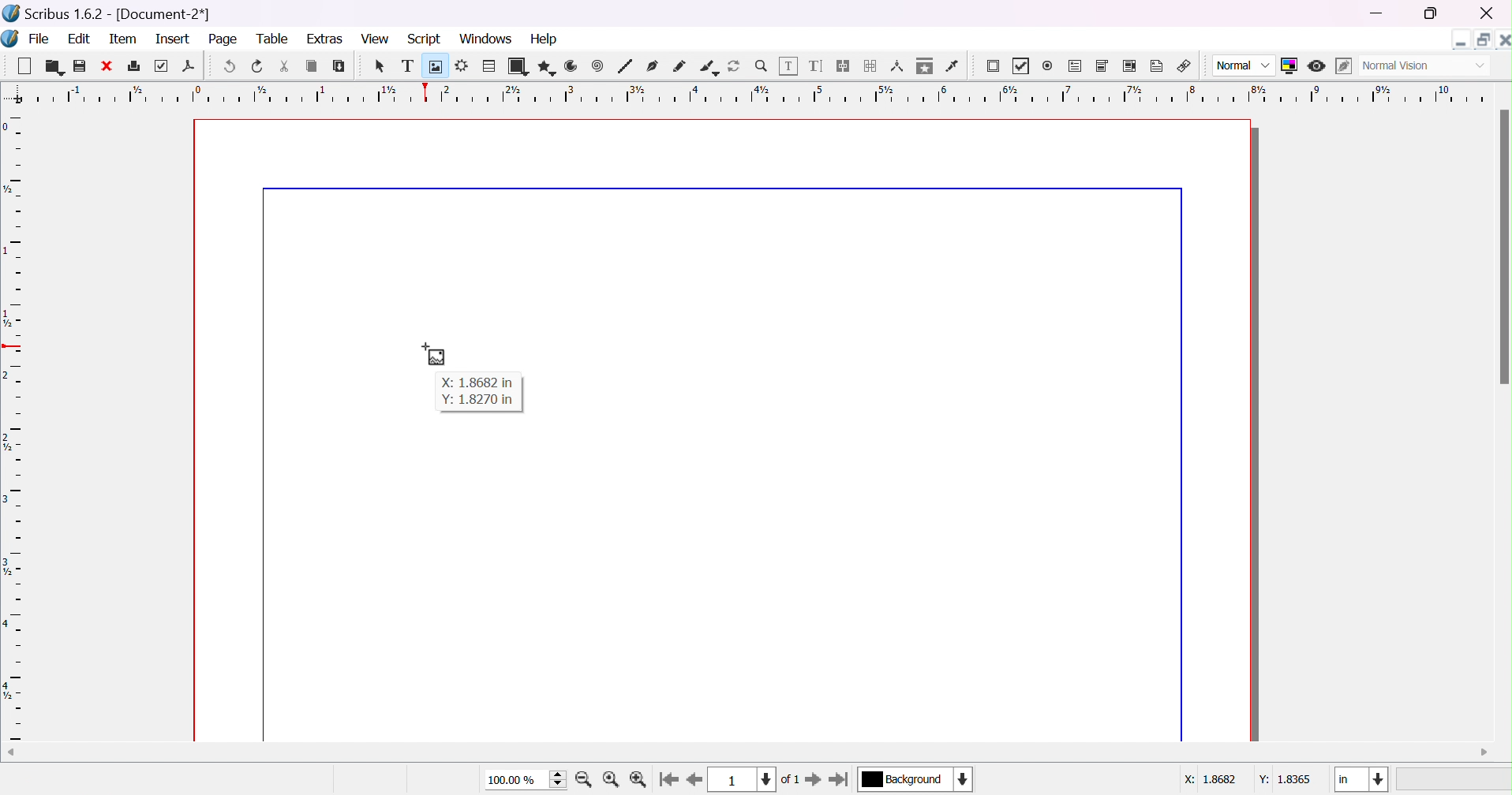 This screenshot has width=1512, height=795. What do you see at coordinates (757, 779) in the screenshot?
I see `current page` at bounding box center [757, 779].